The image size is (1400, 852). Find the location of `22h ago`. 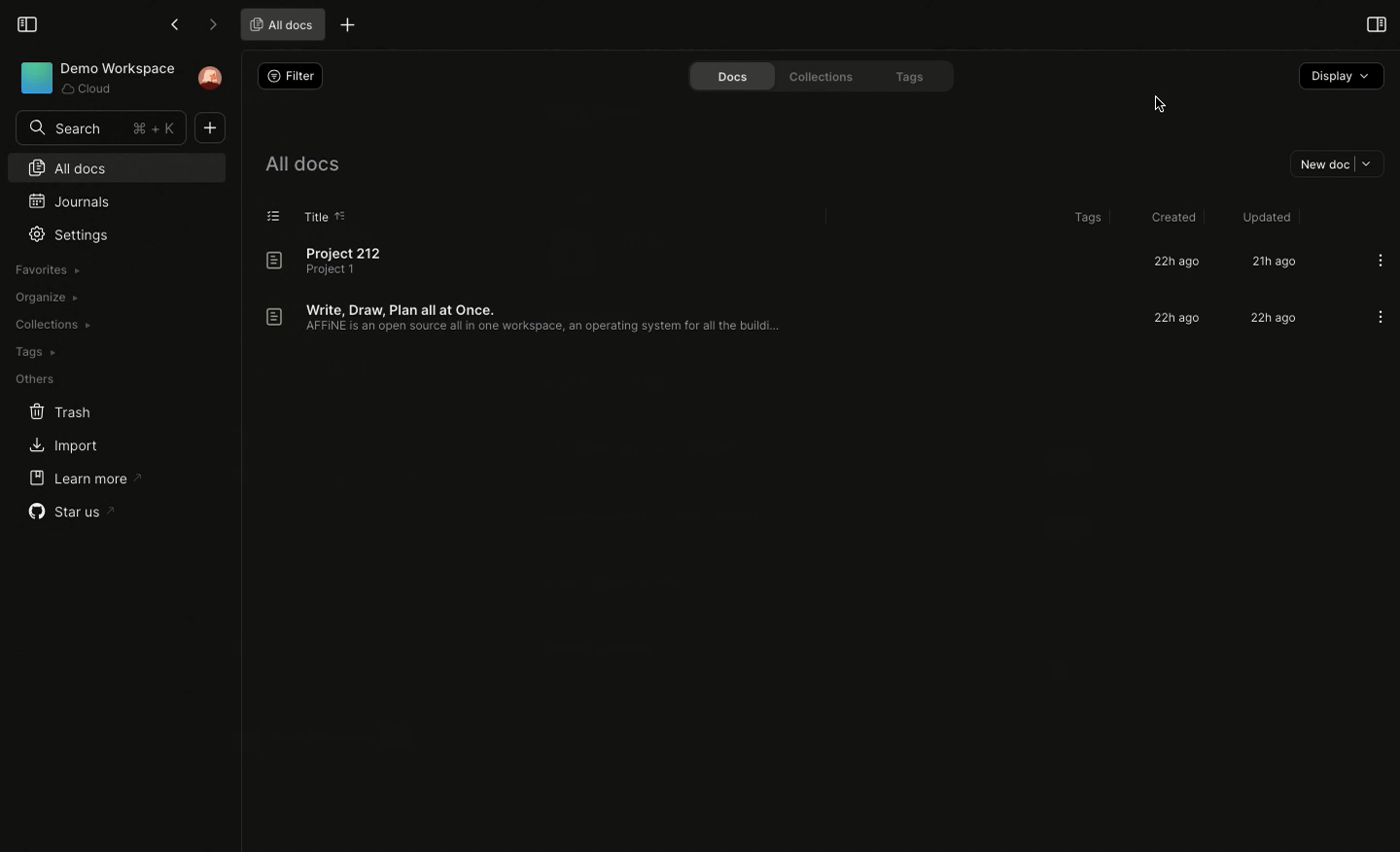

22h ago is located at coordinates (1179, 318).